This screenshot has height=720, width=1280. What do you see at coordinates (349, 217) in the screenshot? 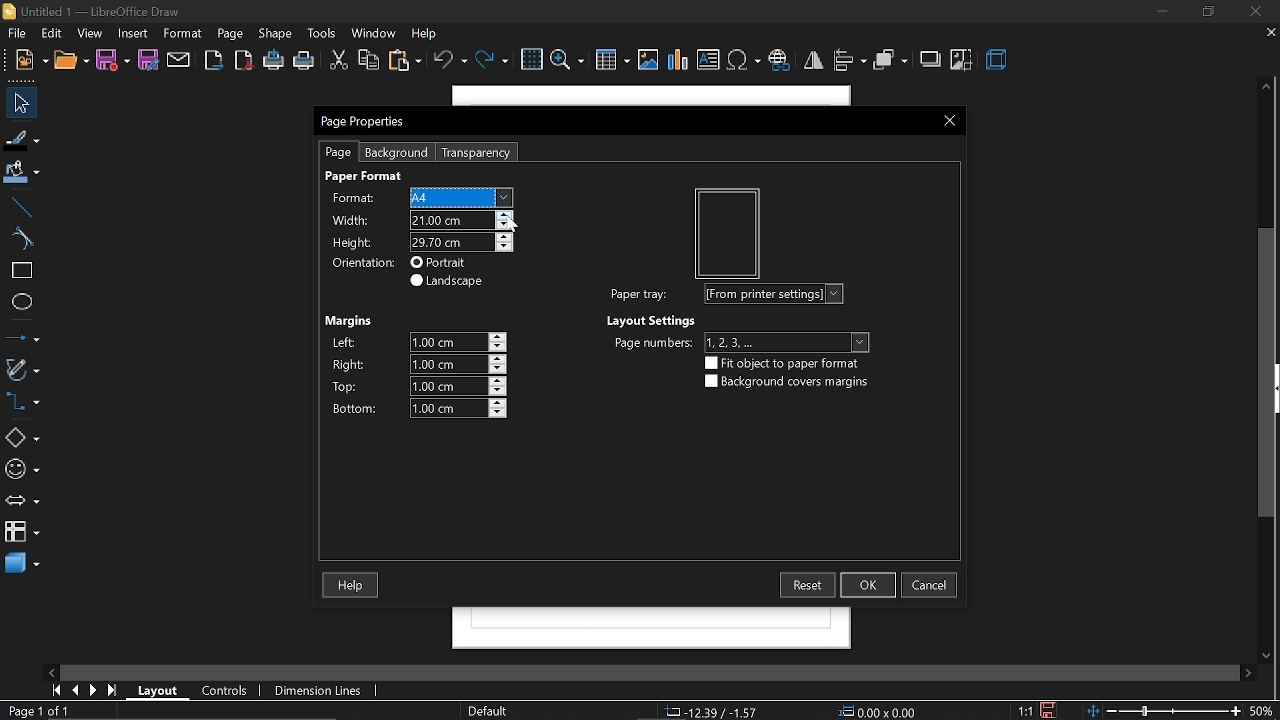
I see `width` at bounding box center [349, 217].